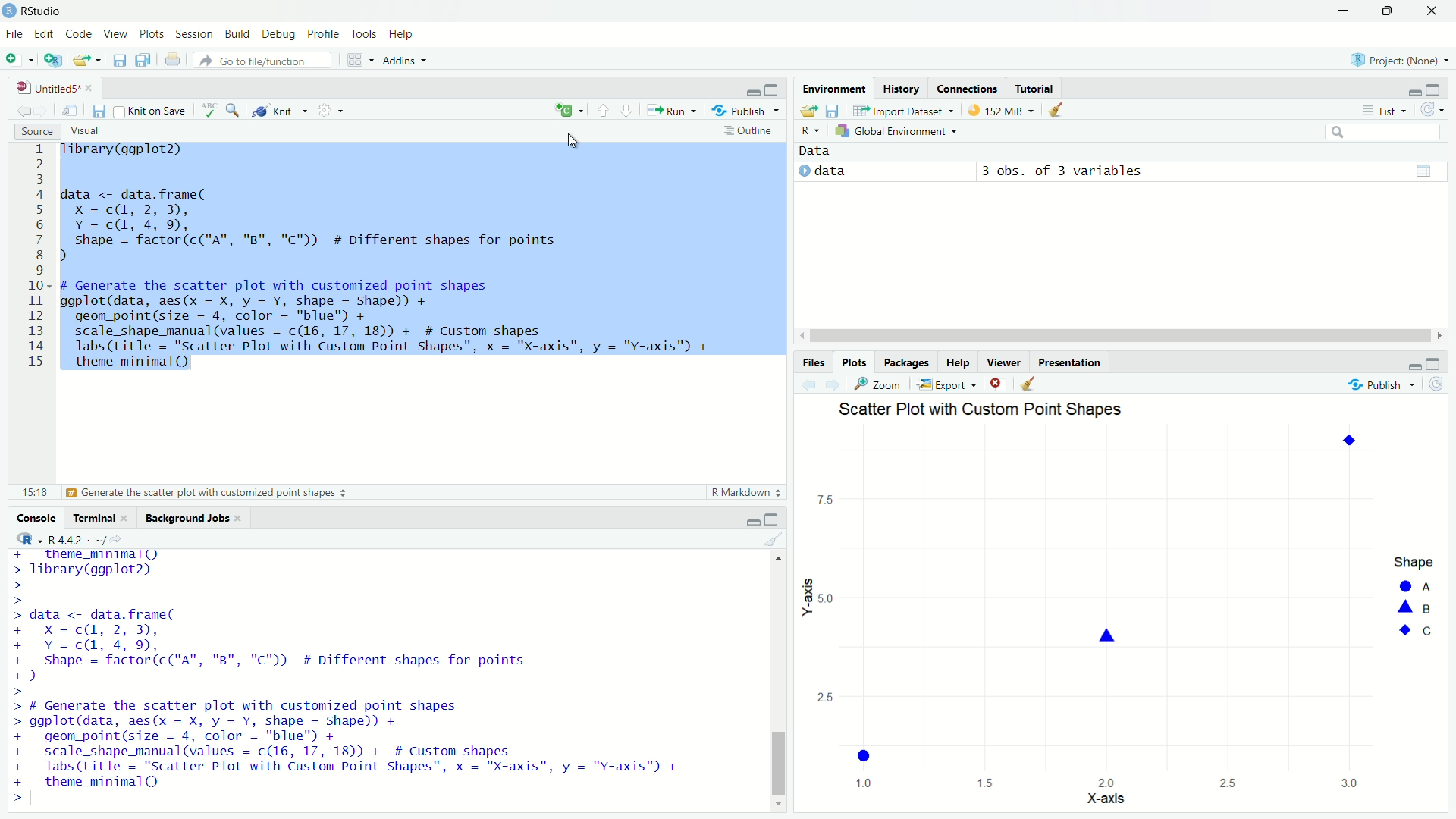 This screenshot has height=819, width=1456. Describe the element at coordinates (808, 383) in the screenshot. I see `Previous plot` at that location.